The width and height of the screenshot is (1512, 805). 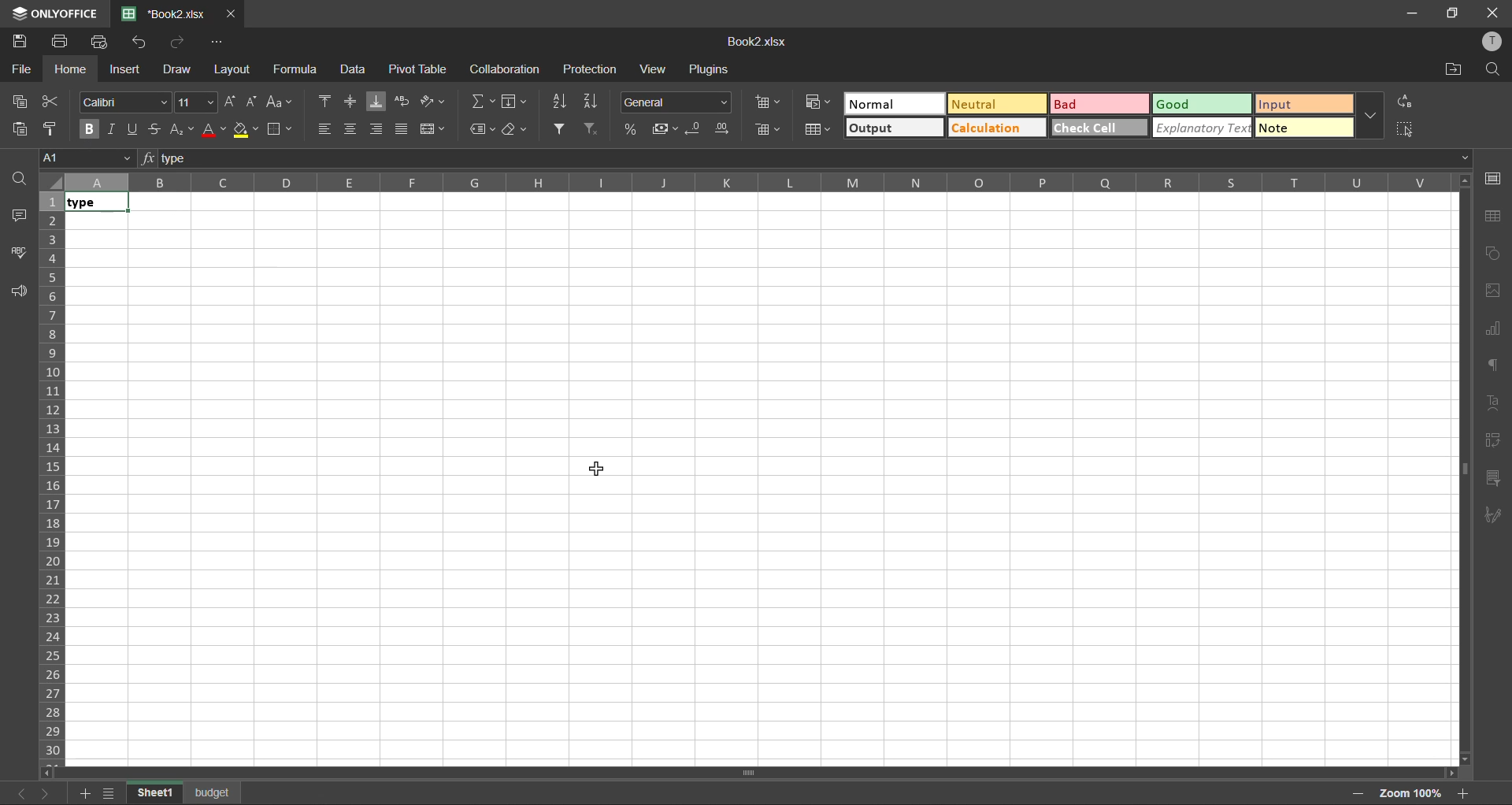 I want to click on font style, so click(x=122, y=103).